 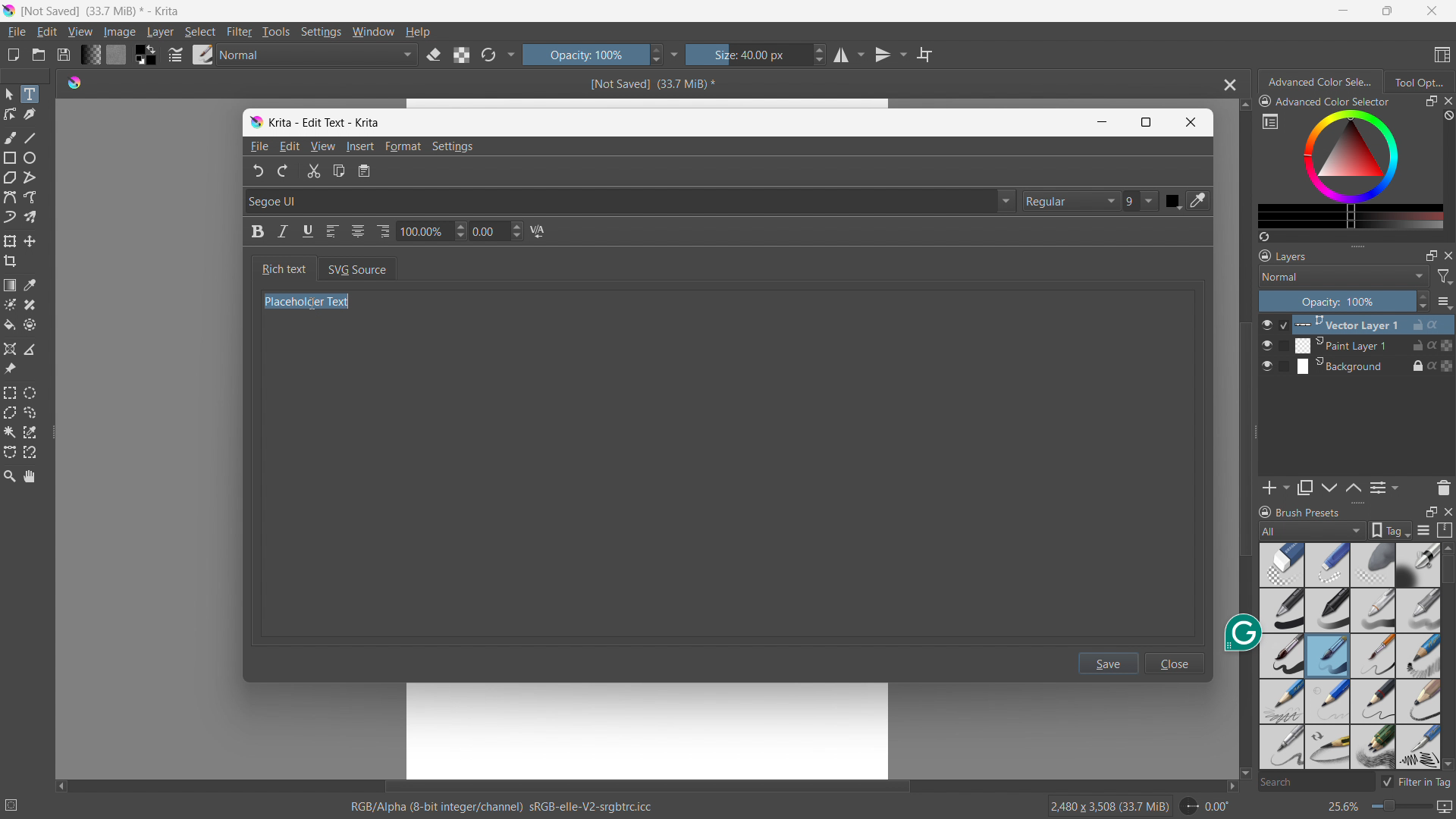 What do you see at coordinates (318, 55) in the screenshot?
I see `blending mode` at bounding box center [318, 55].